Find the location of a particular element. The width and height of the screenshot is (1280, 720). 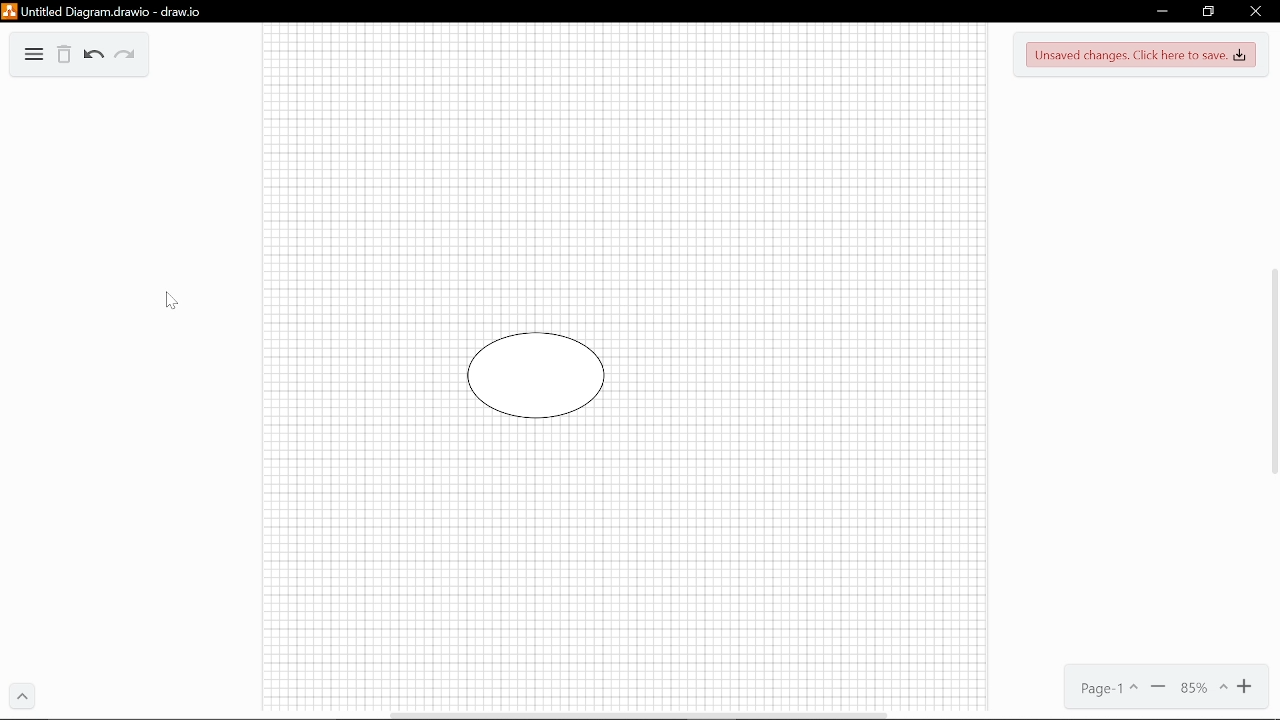

Circle shape is located at coordinates (538, 376).